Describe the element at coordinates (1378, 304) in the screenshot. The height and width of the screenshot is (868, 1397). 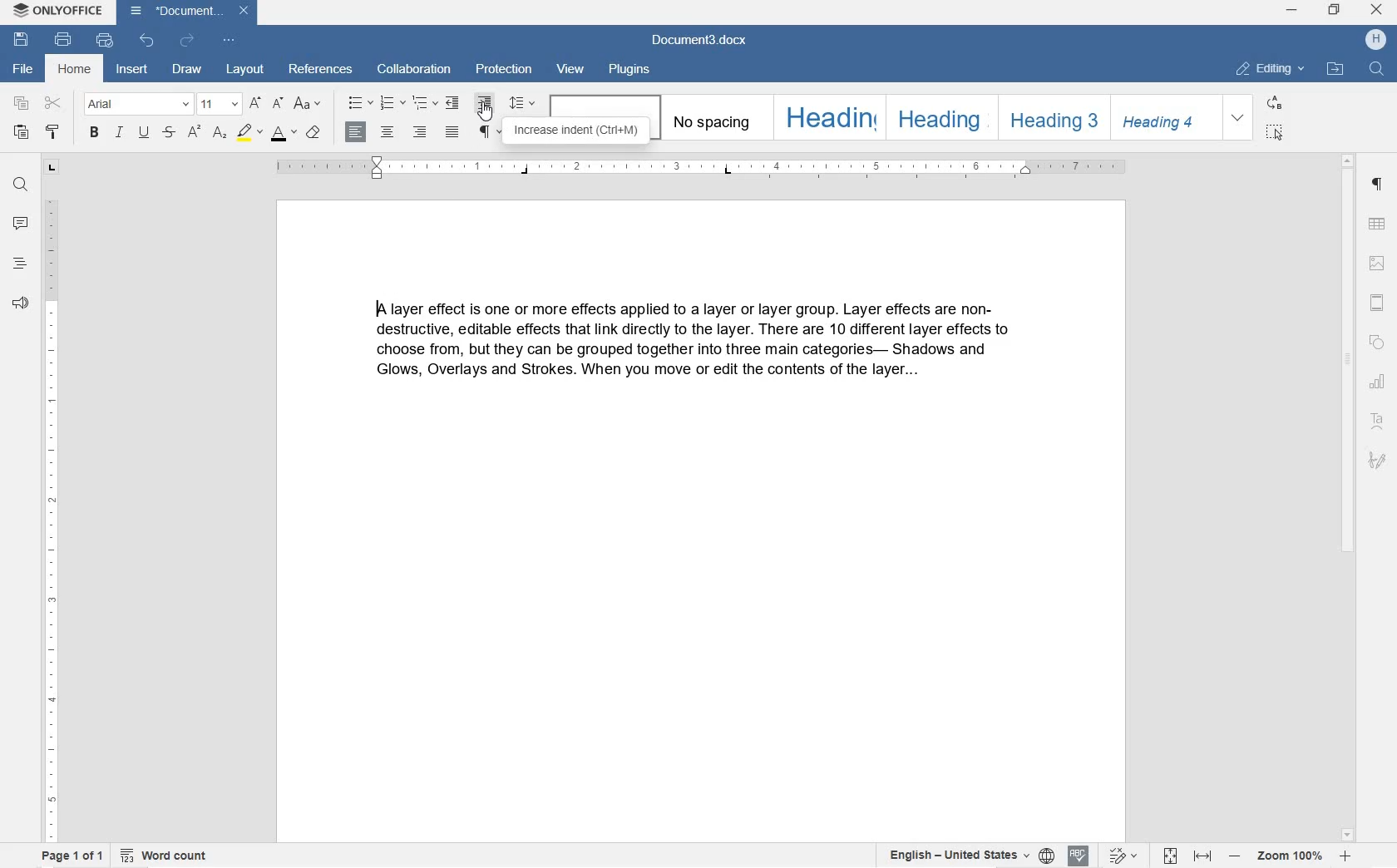
I see `HEADERS & FOOTERS` at that location.